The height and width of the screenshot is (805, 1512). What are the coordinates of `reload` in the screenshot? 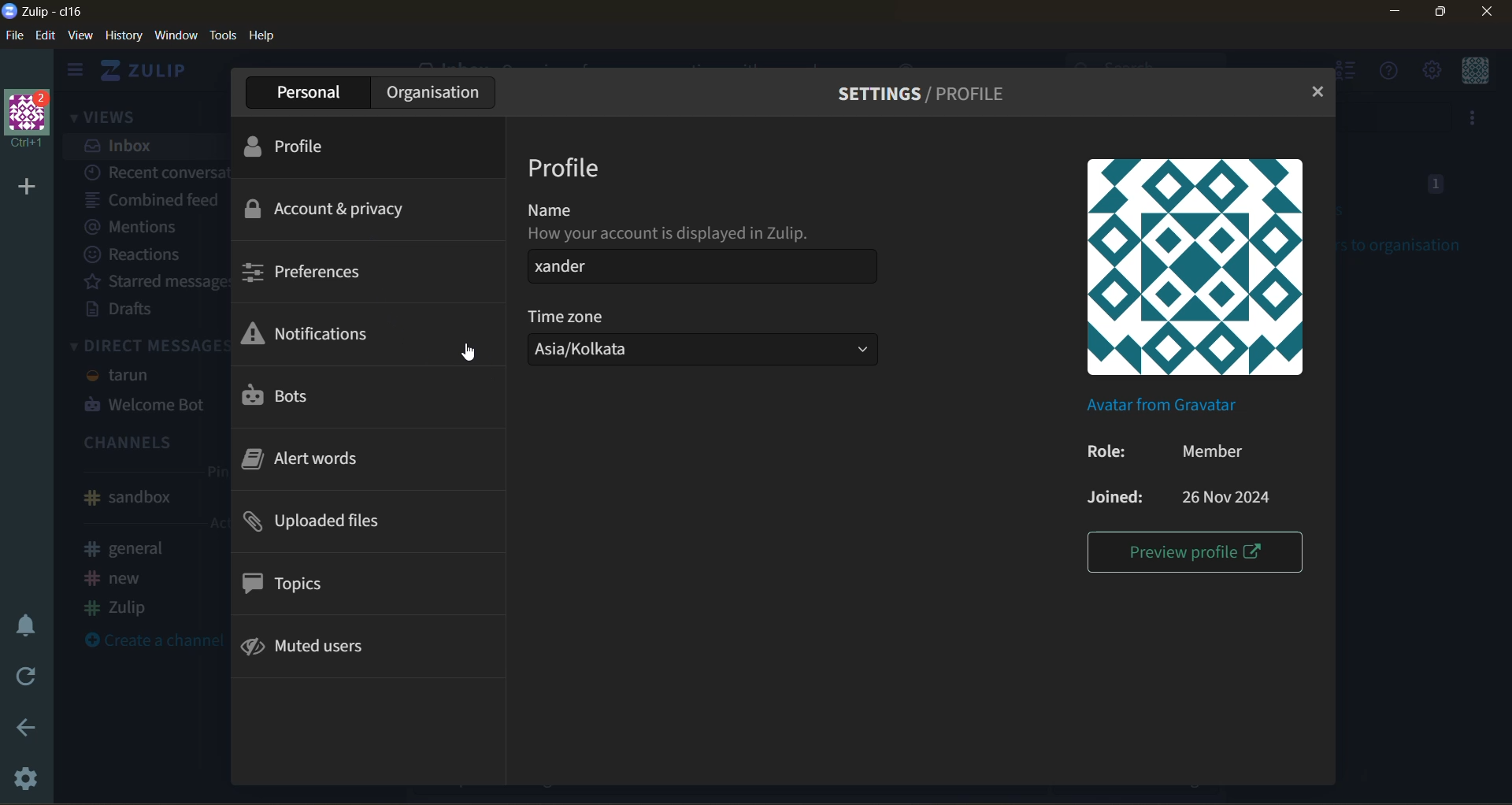 It's located at (25, 677).